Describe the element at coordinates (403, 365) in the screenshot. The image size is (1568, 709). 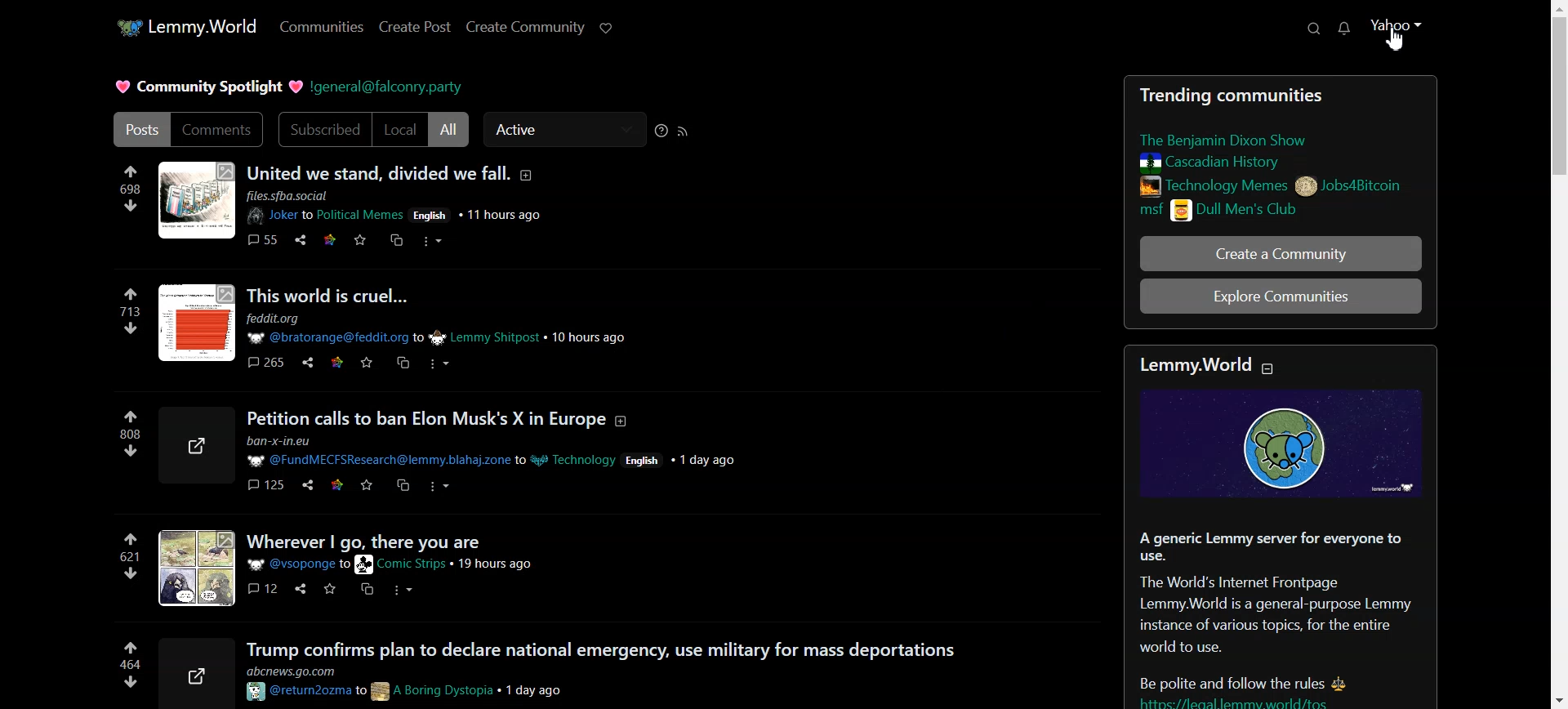
I see `copy` at that location.